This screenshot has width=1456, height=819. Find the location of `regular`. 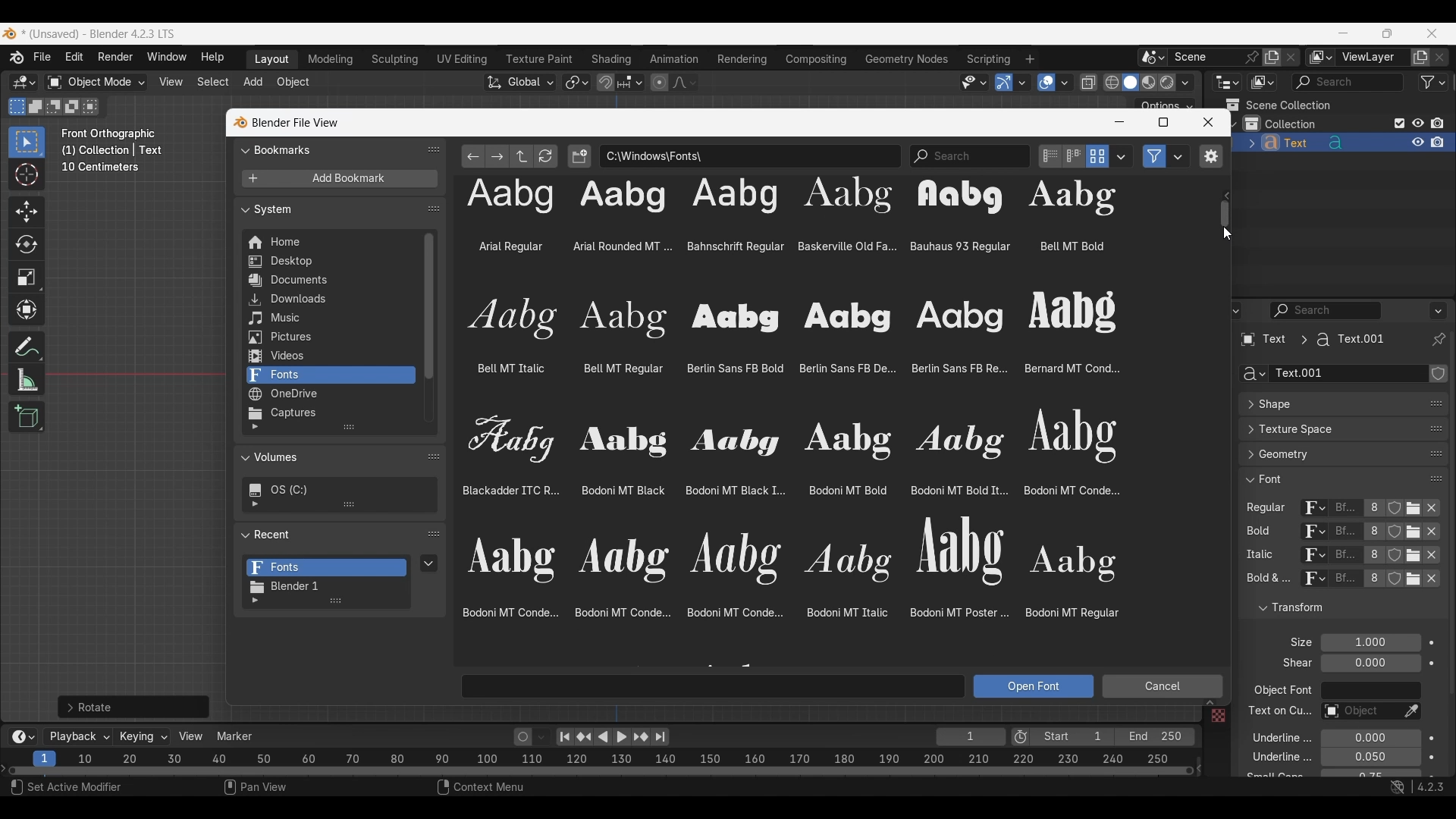

regular is located at coordinates (1269, 509).